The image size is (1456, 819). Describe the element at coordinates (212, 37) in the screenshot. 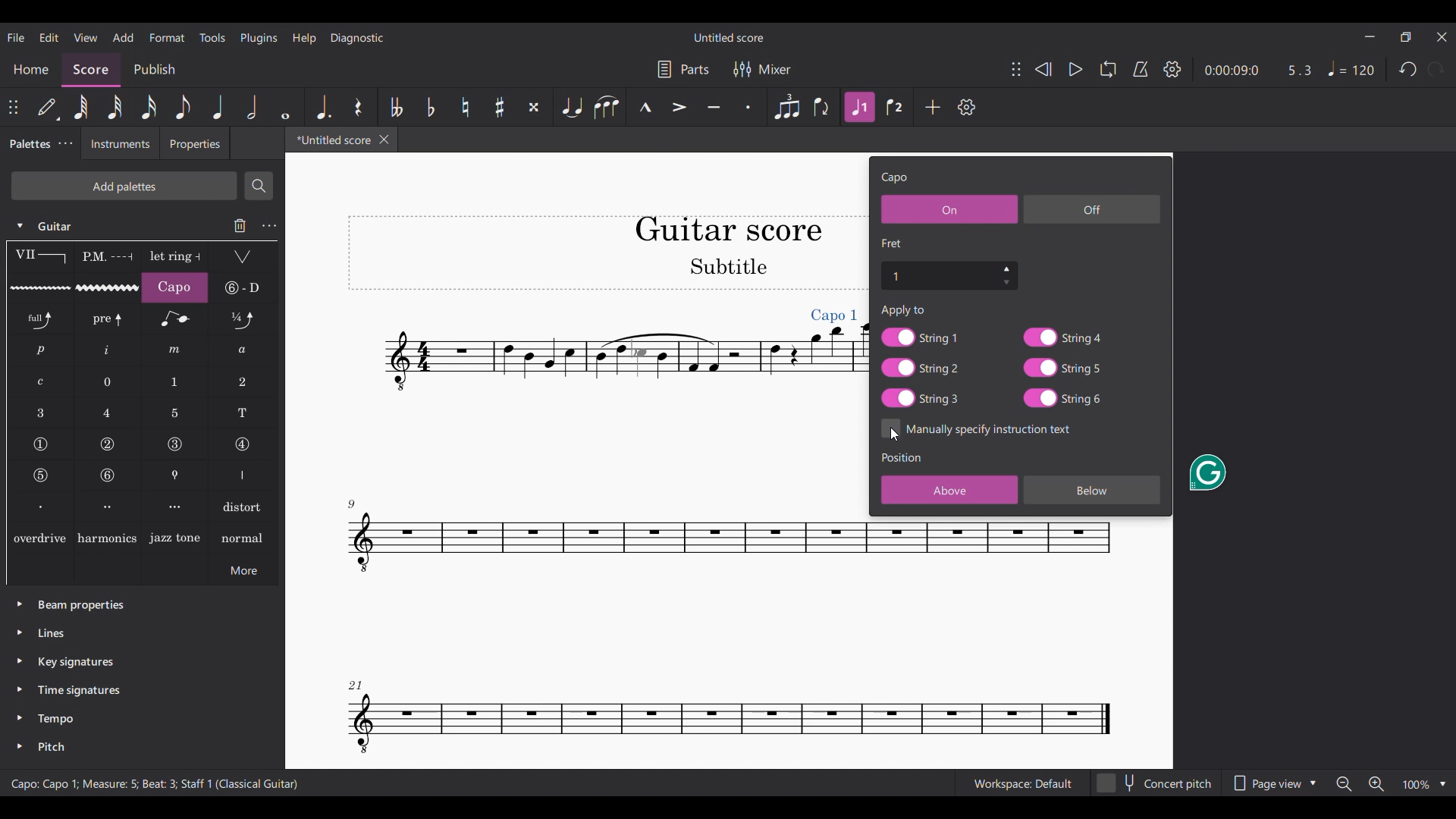

I see `Tools menu` at that location.